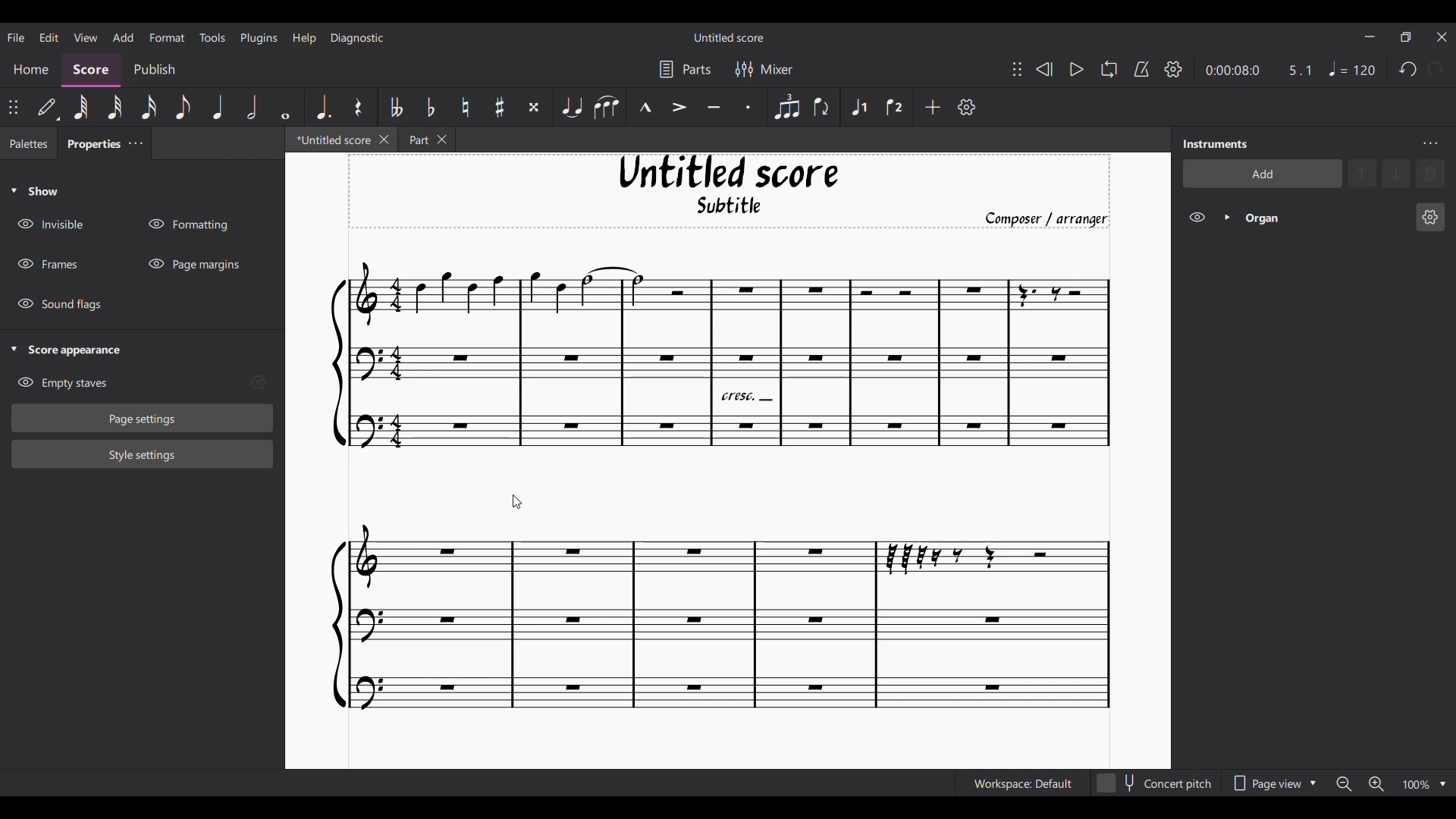  What do you see at coordinates (189, 224) in the screenshot?
I see `Hide Formatting` at bounding box center [189, 224].